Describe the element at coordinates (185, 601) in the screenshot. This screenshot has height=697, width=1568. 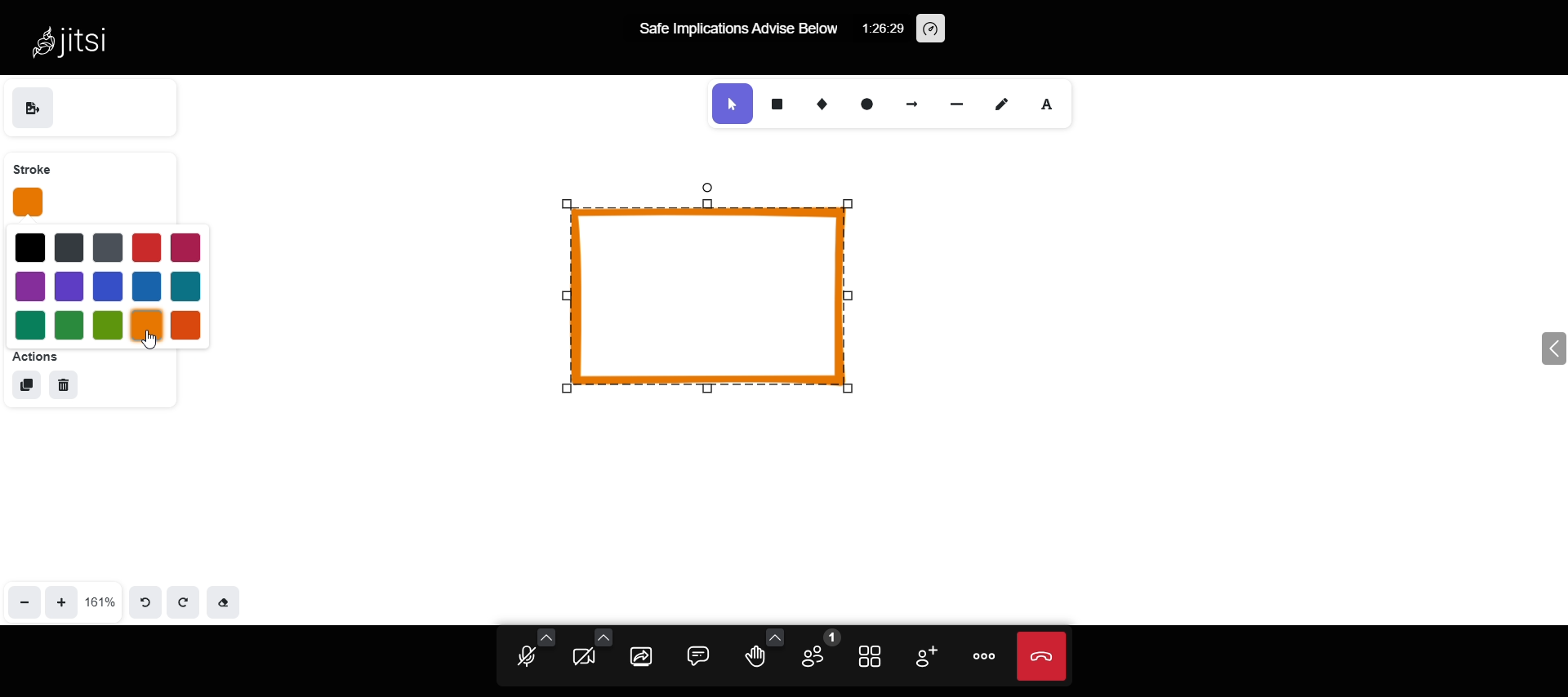
I see `redo` at that location.